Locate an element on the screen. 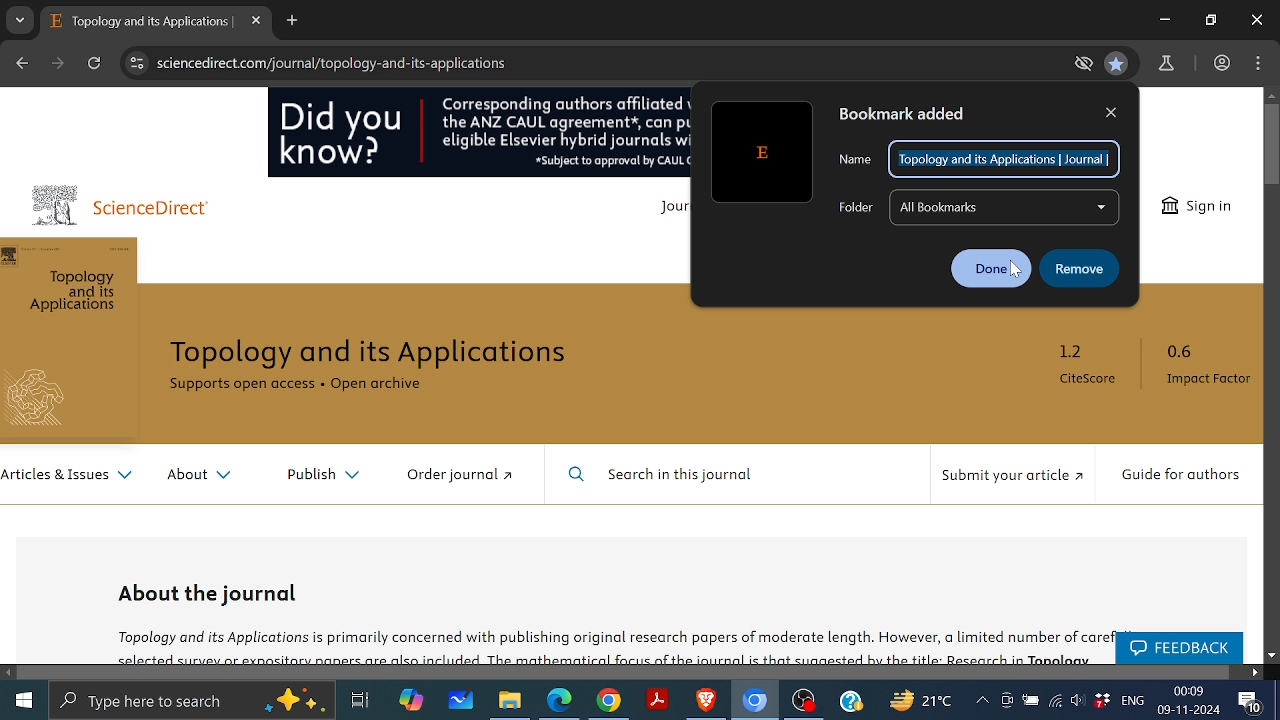 The height and width of the screenshot is (720, 1280). Notification is located at coordinates (1249, 702).